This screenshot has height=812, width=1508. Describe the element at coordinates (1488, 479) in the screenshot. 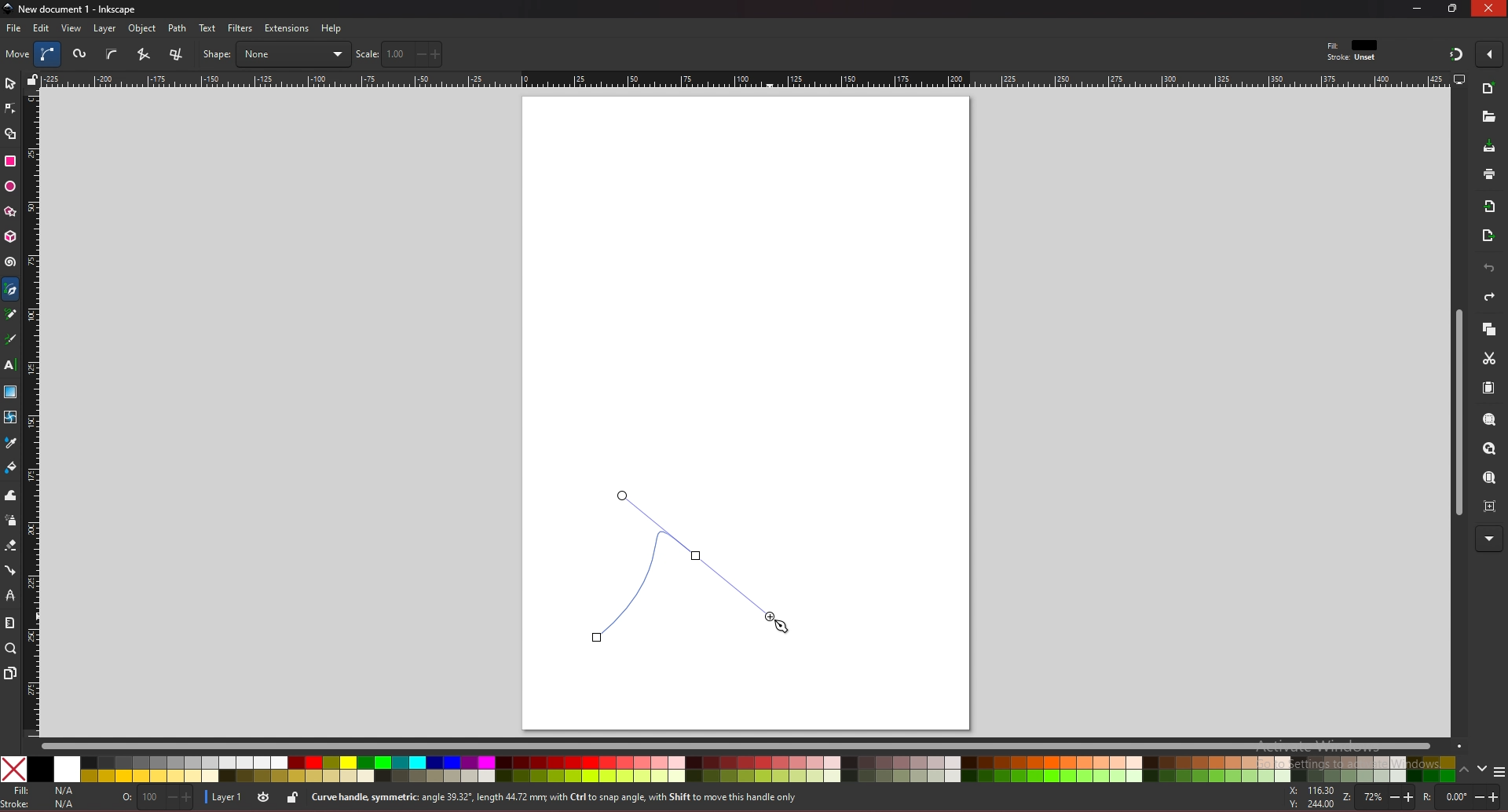

I see `zoom page` at that location.